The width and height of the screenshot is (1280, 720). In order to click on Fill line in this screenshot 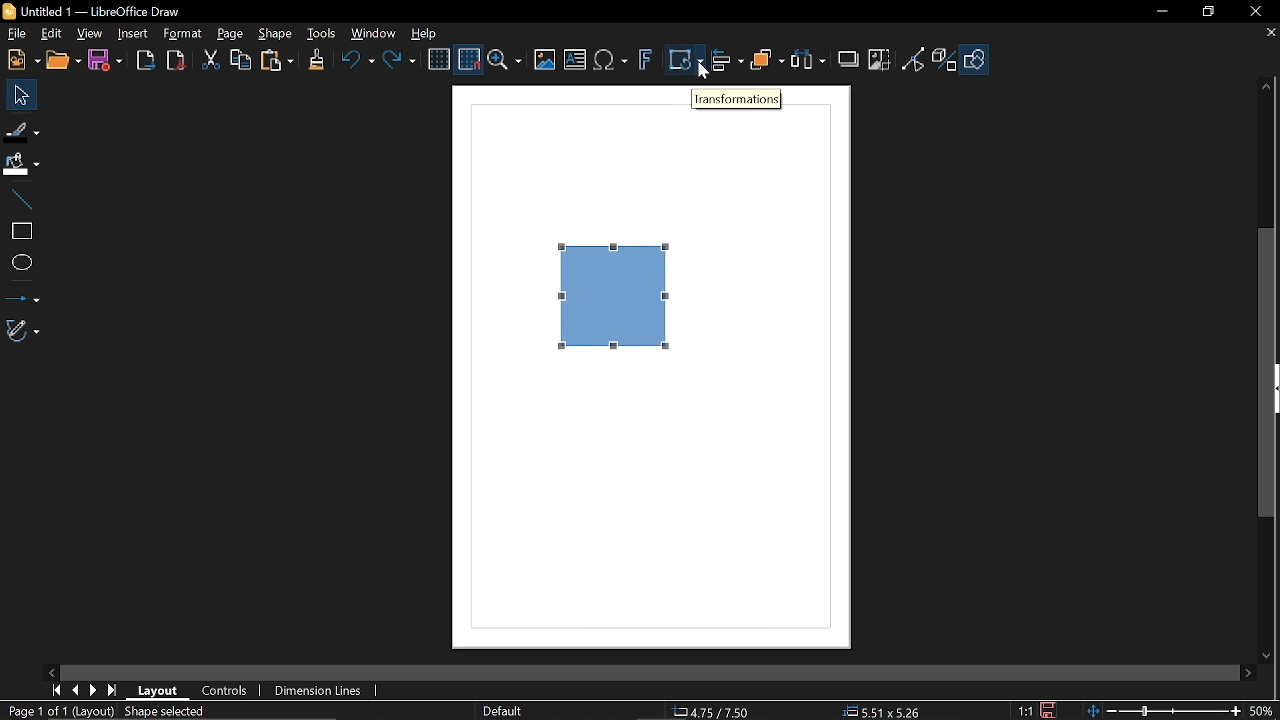, I will do `click(22, 129)`.